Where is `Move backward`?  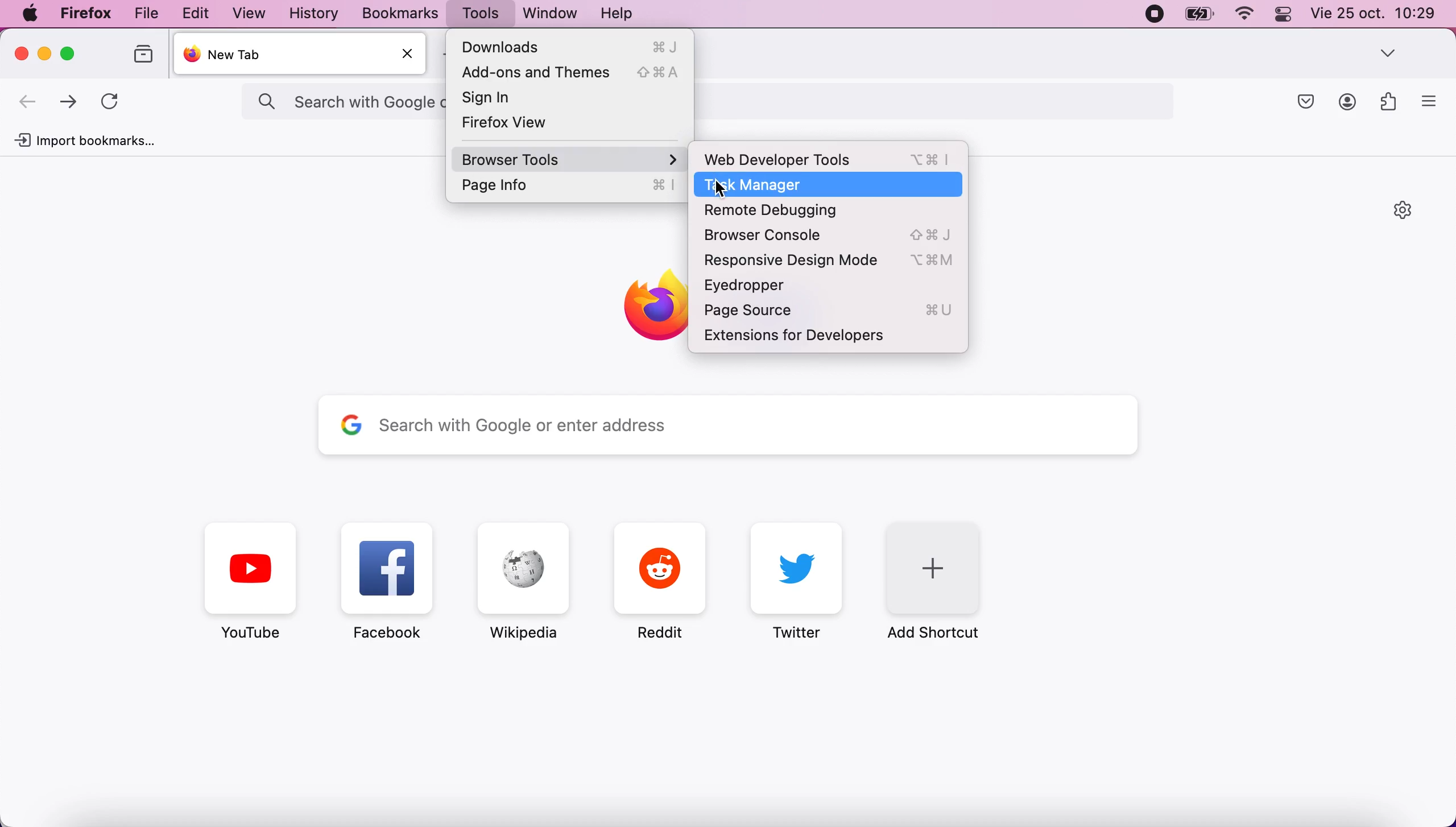
Move backward is located at coordinates (28, 103).